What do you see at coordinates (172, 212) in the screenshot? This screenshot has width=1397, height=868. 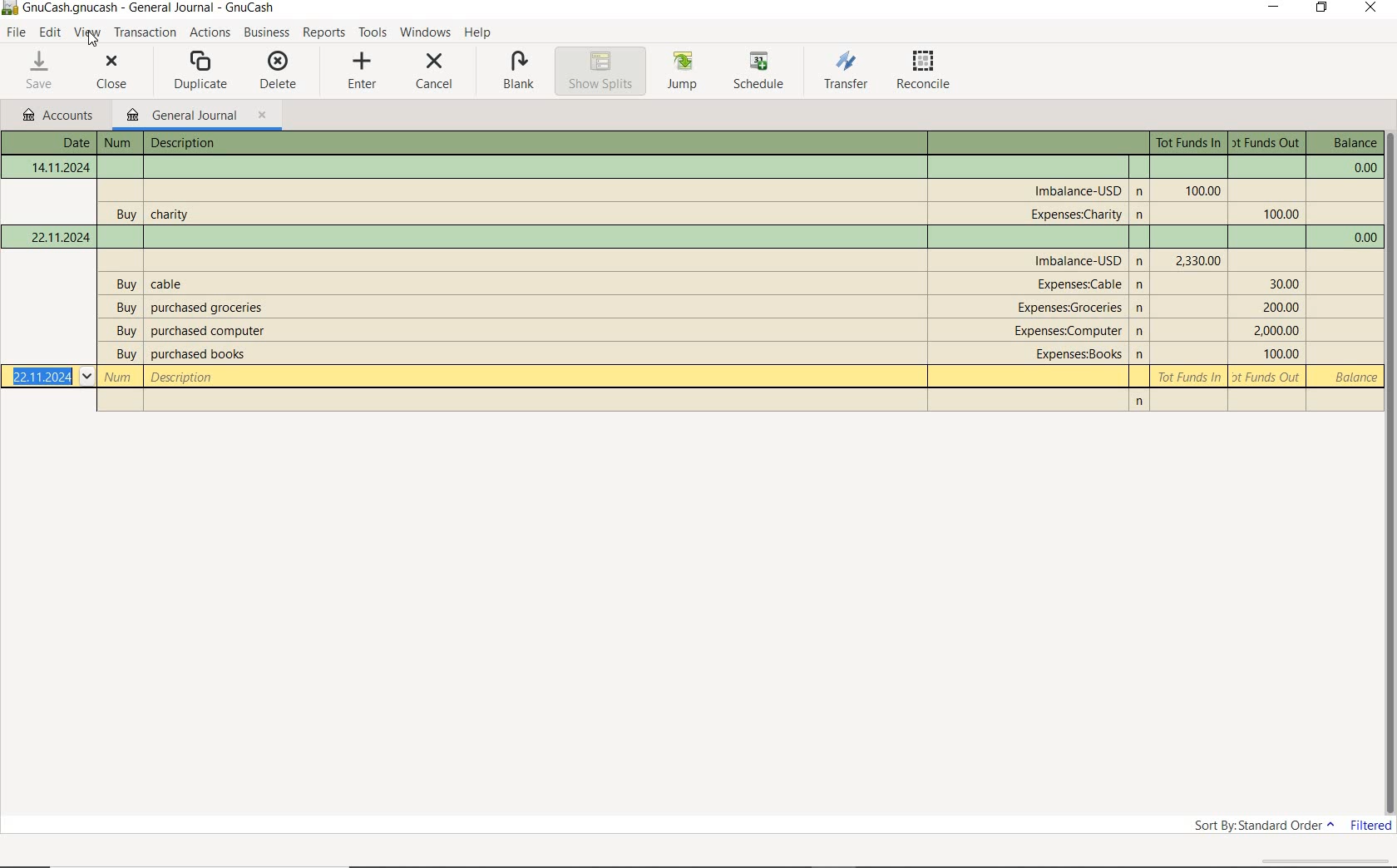 I see `description` at bounding box center [172, 212].